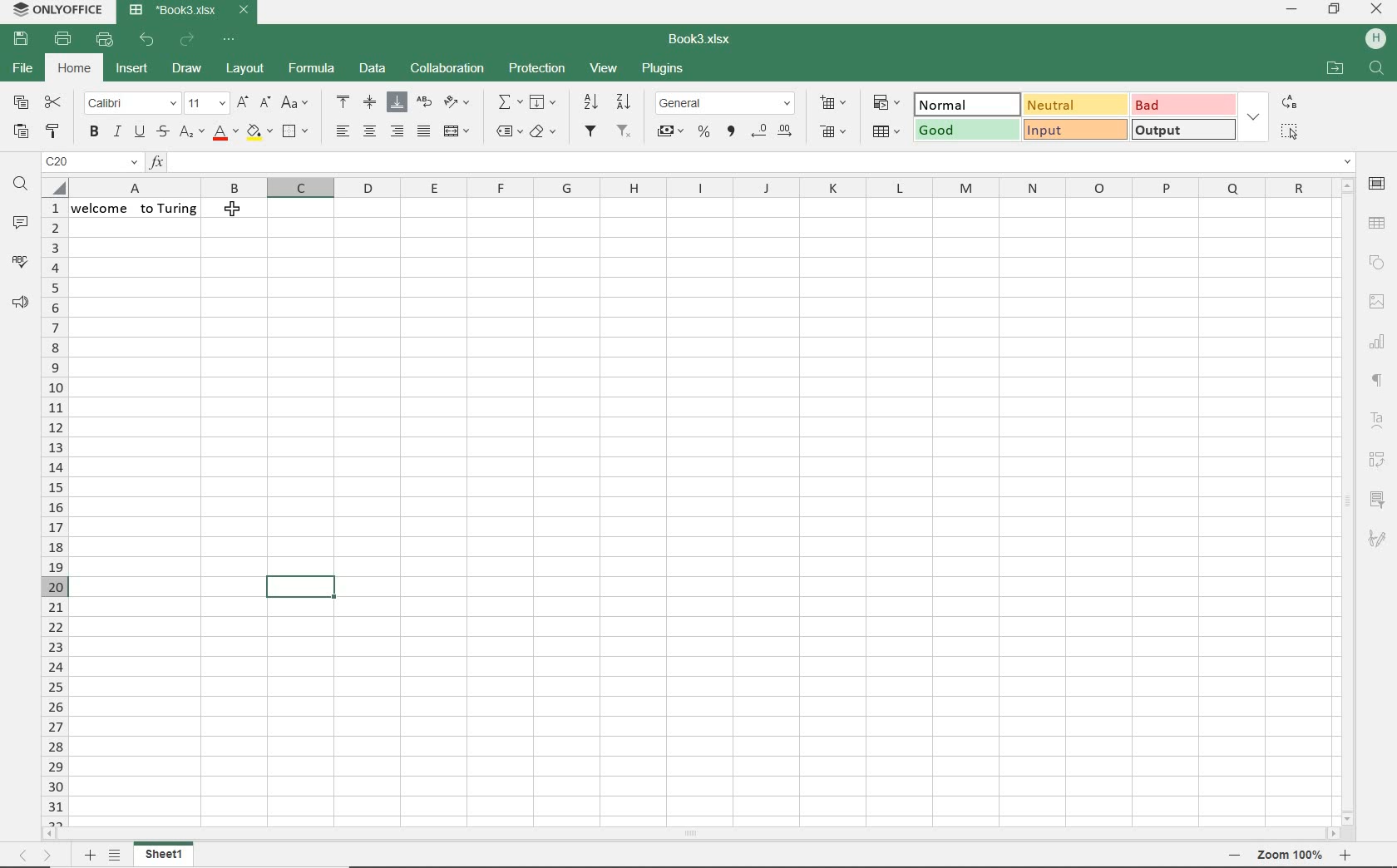 This screenshot has width=1397, height=868. Describe the element at coordinates (773, 131) in the screenshot. I see `change decimal` at that location.